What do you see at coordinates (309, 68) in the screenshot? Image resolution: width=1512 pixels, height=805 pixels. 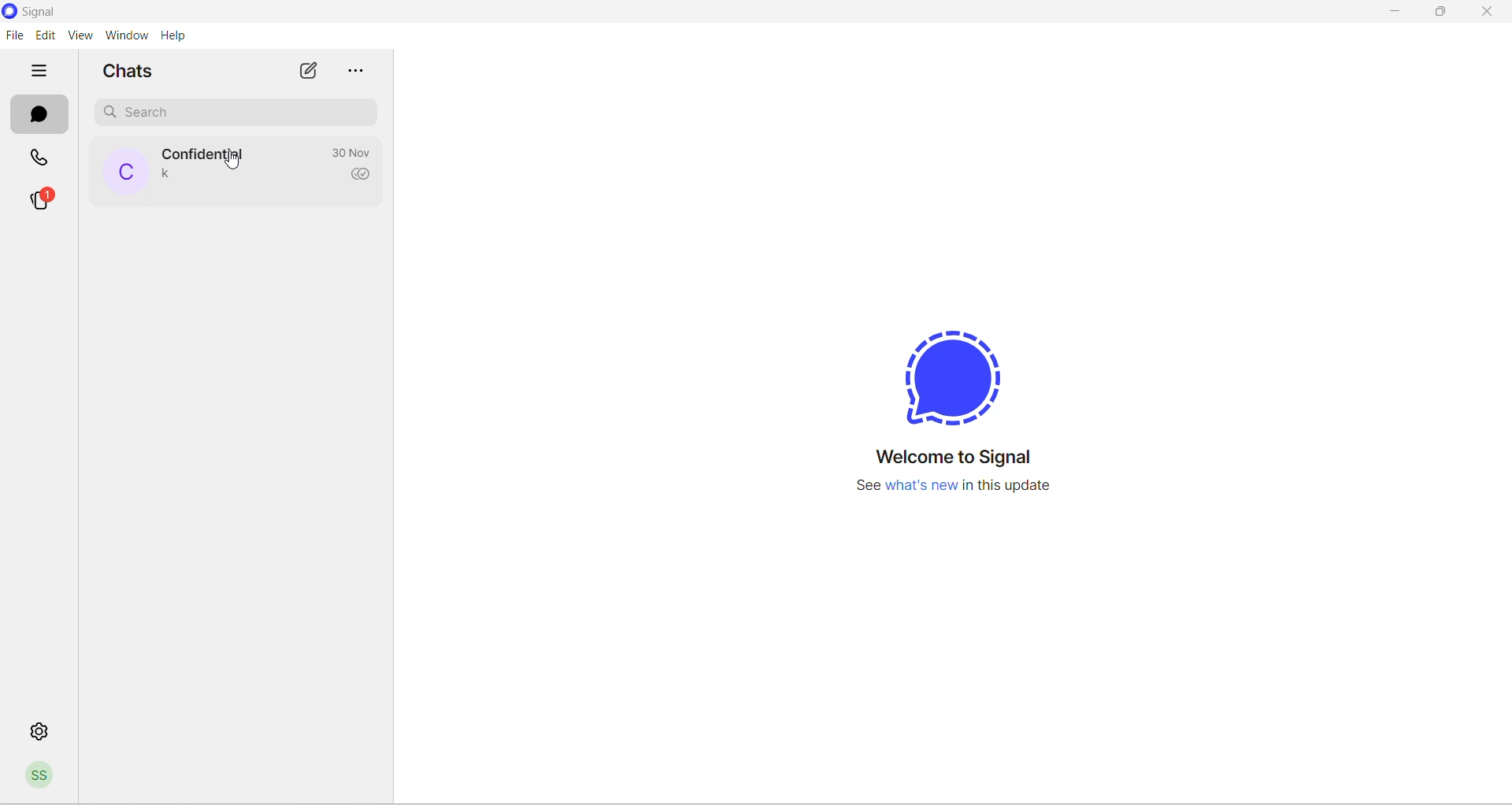 I see `new chats` at bounding box center [309, 68].